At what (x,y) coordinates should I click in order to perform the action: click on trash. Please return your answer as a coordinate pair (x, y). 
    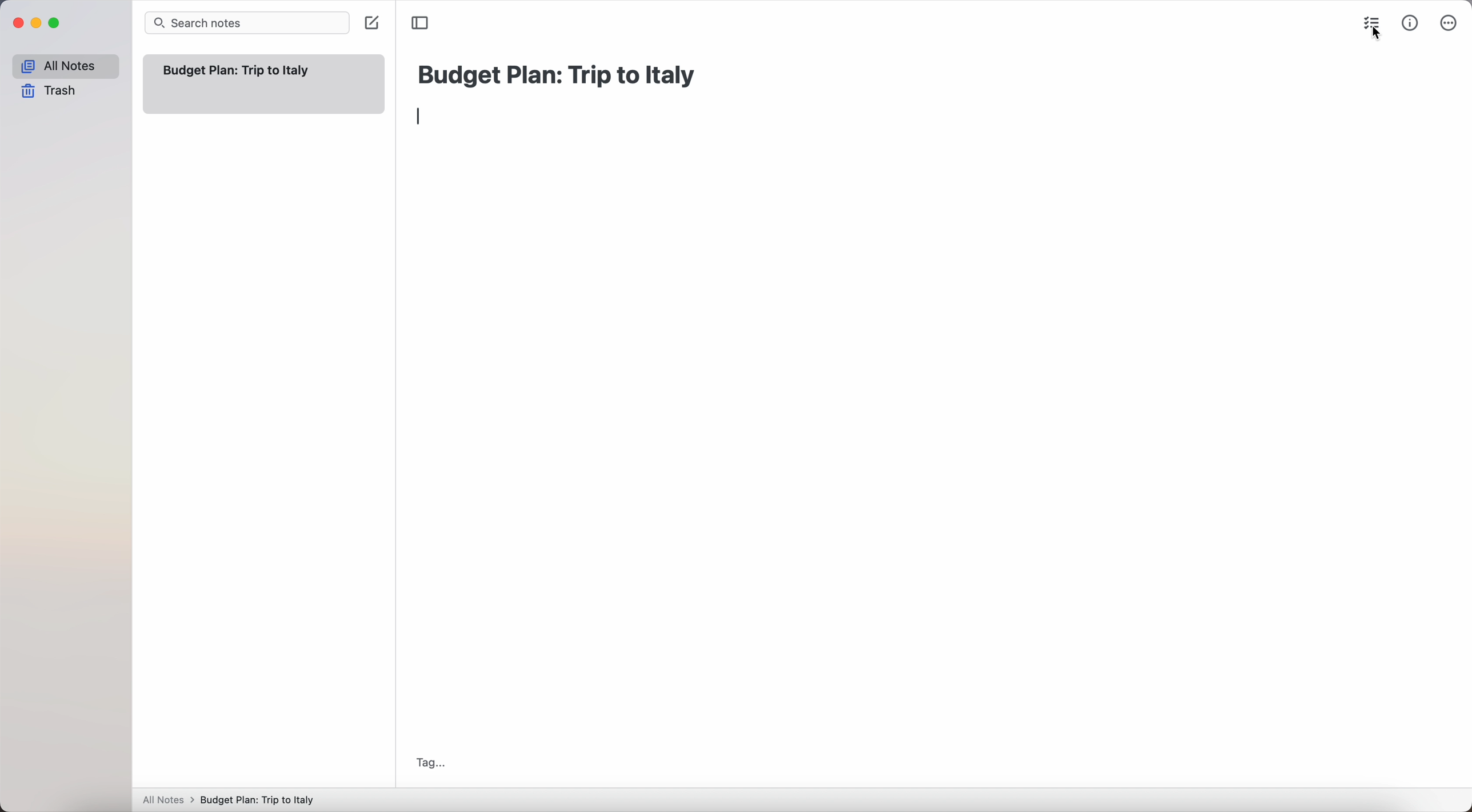
    Looking at the image, I should click on (49, 91).